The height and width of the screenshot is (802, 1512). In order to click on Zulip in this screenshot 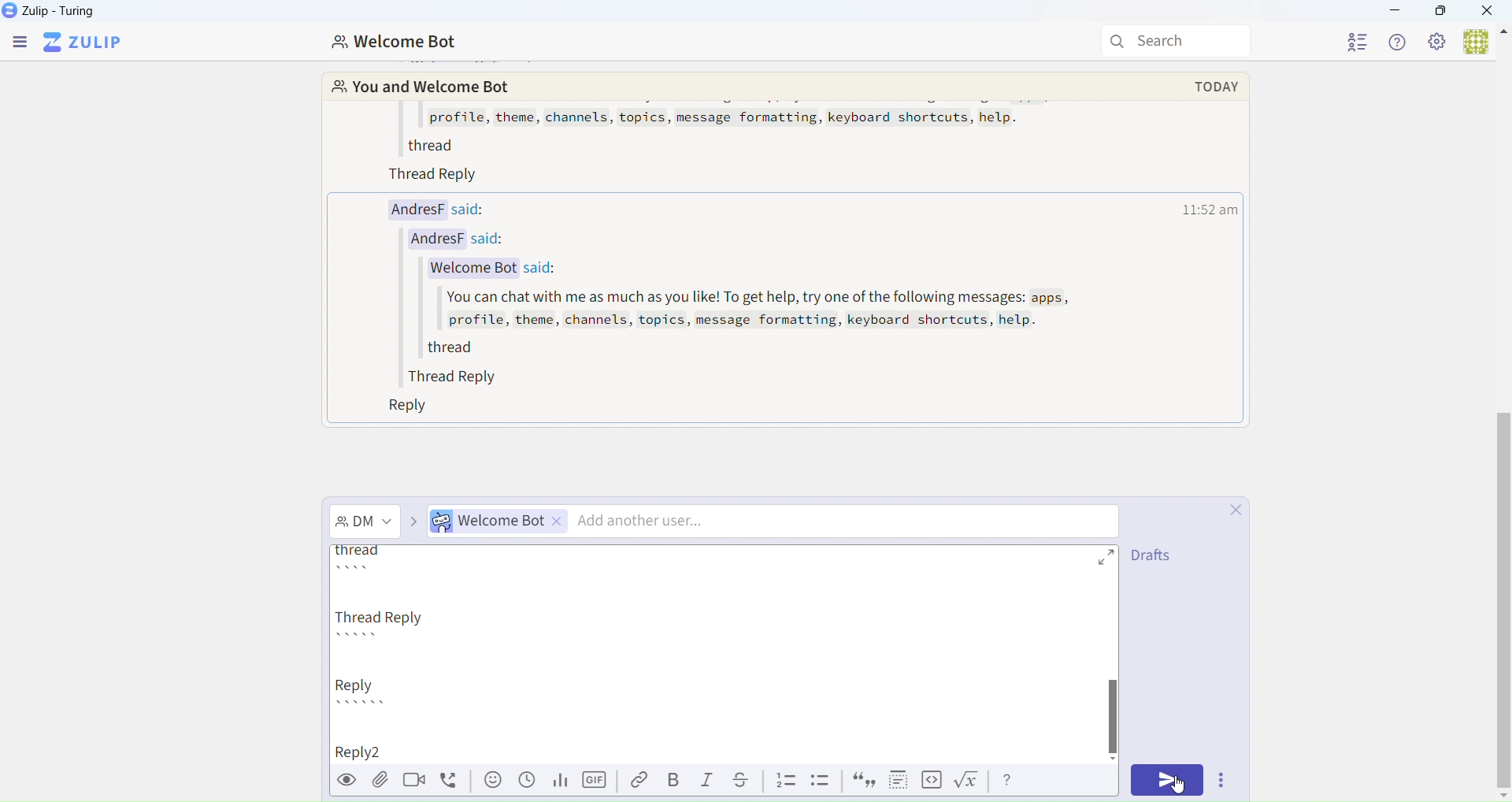, I will do `click(85, 45)`.